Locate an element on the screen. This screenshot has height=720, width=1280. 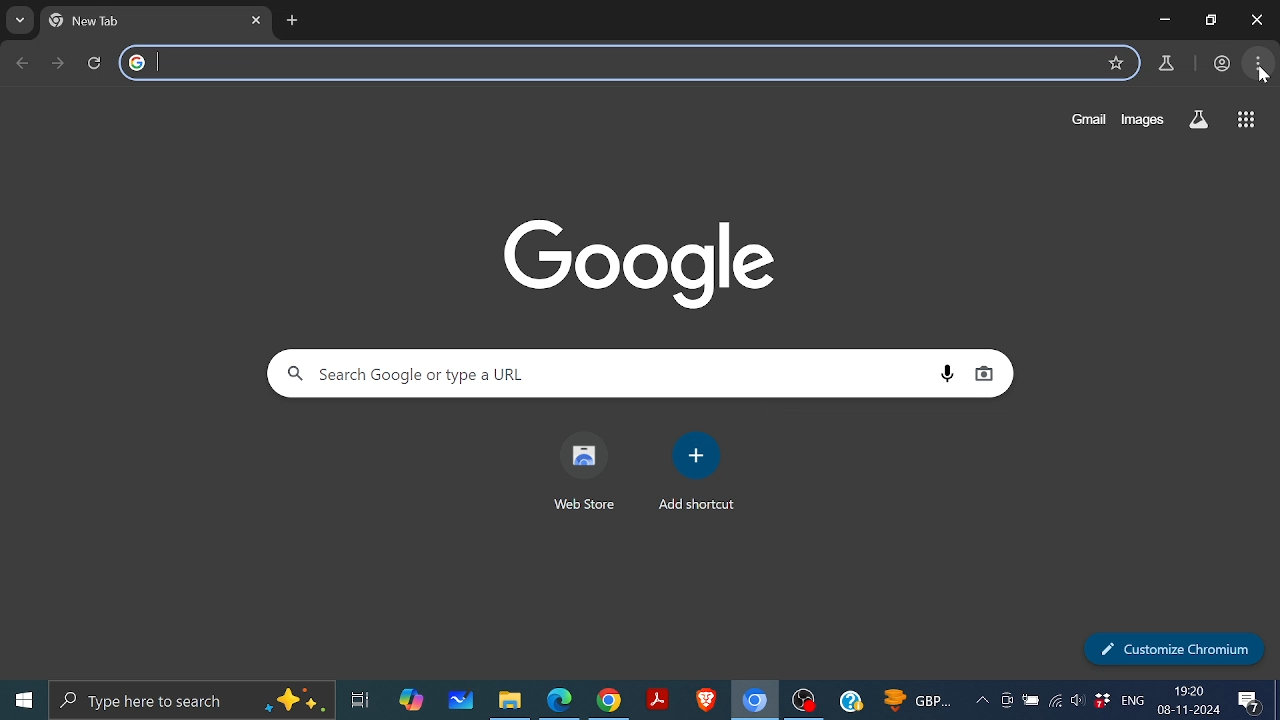
Show hidden Icon is located at coordinates (981, 705).